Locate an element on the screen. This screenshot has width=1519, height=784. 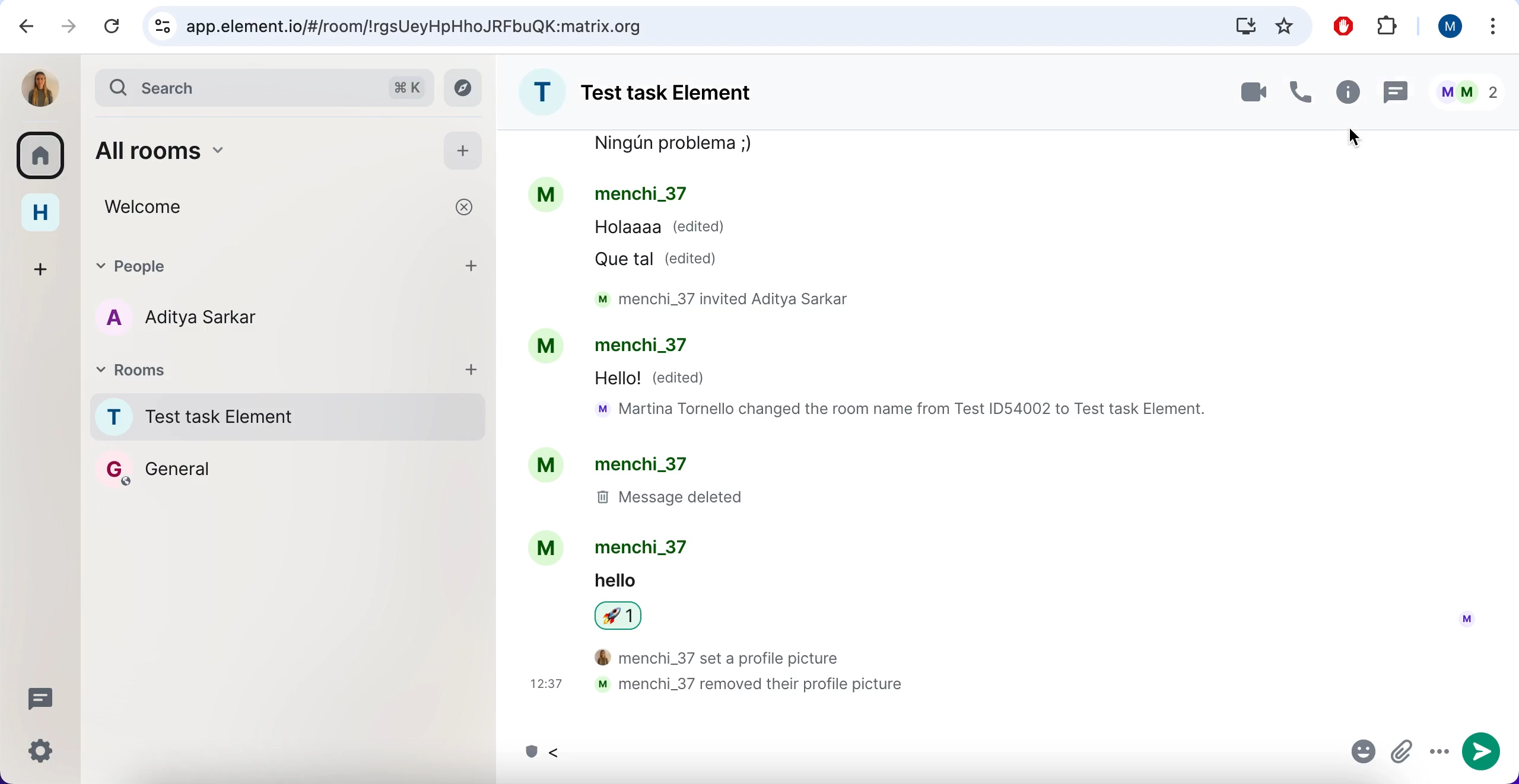
user is located at coordinates (1446, 29).